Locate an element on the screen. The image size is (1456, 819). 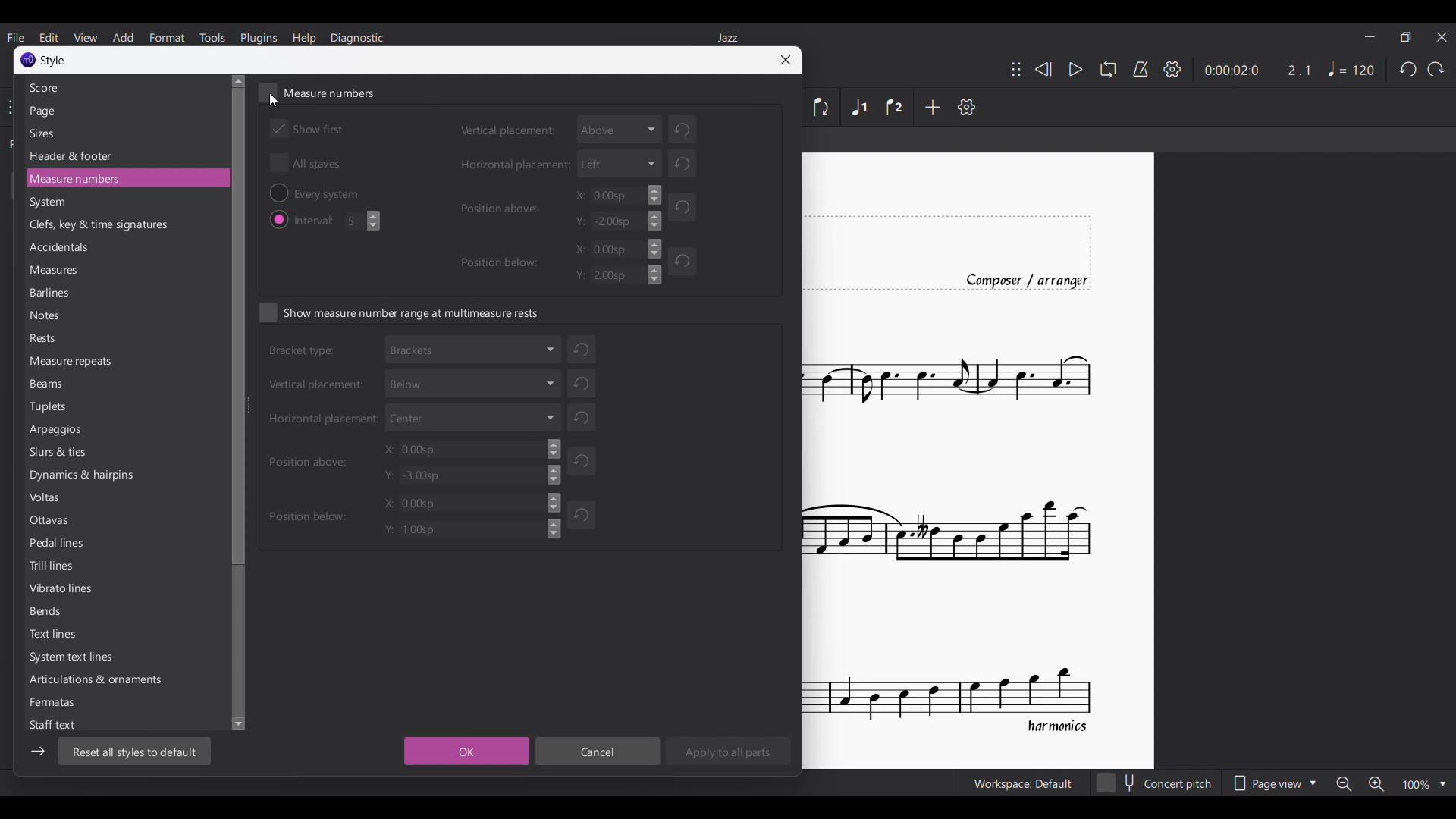
X: 0.0 is located at coordinates (468, 503).